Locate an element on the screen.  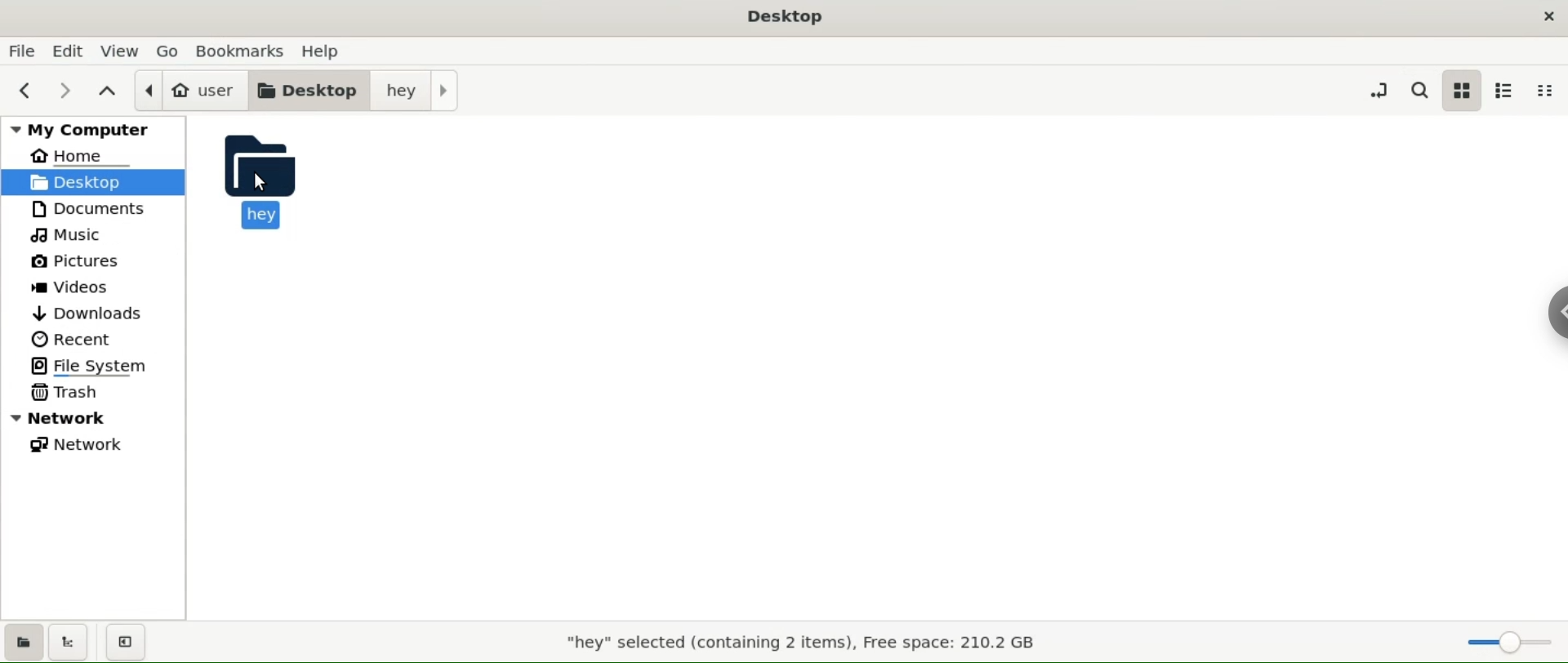
show places is located at coordinates (24, 645).